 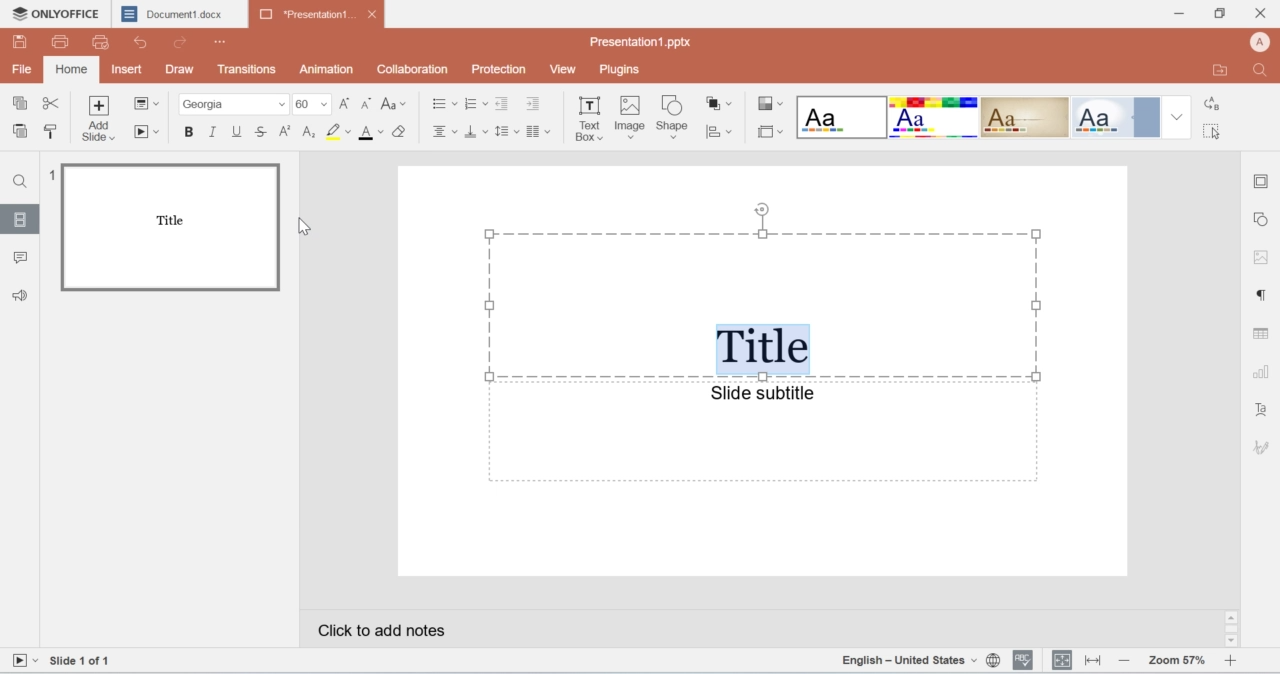 What do you see at coordinates (477, 103) in the screenshot?
I see `numbered list` at bounding box center [477, 103].